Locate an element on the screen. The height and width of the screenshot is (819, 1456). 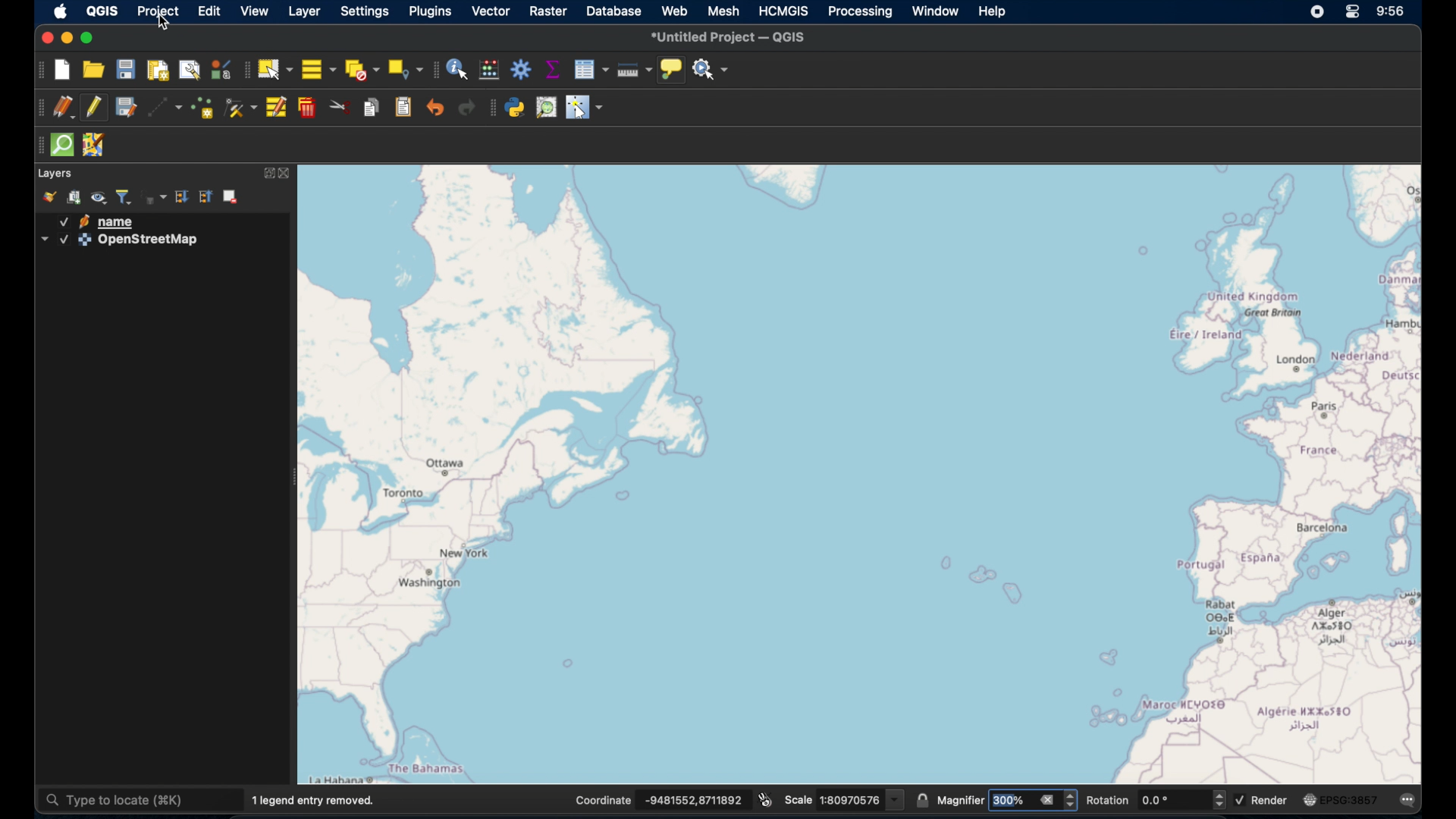
cut features is located at coordinates (340, 107).